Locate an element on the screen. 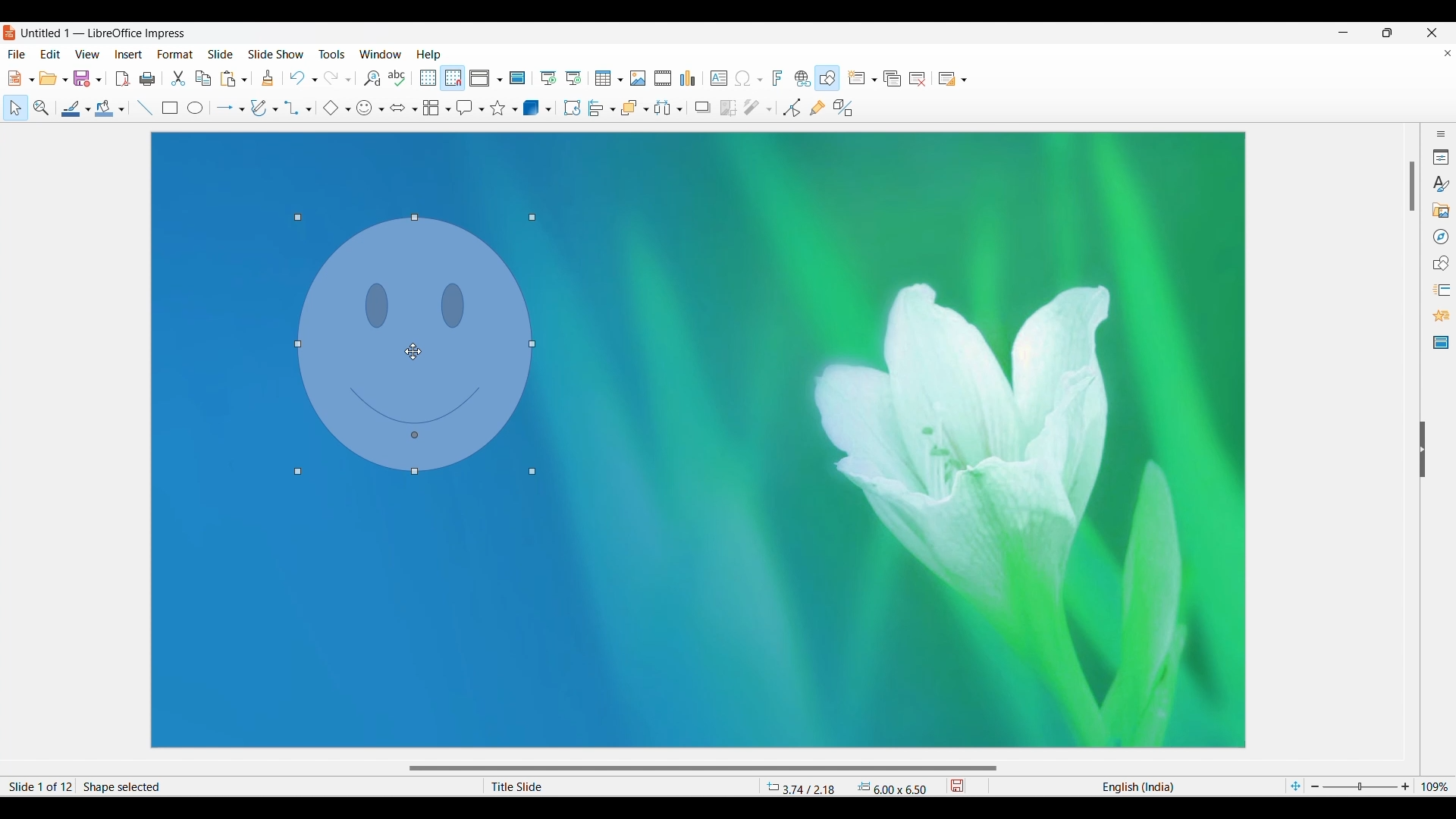  Show interface in a smaller tab is located at coordinates (1388, 33).